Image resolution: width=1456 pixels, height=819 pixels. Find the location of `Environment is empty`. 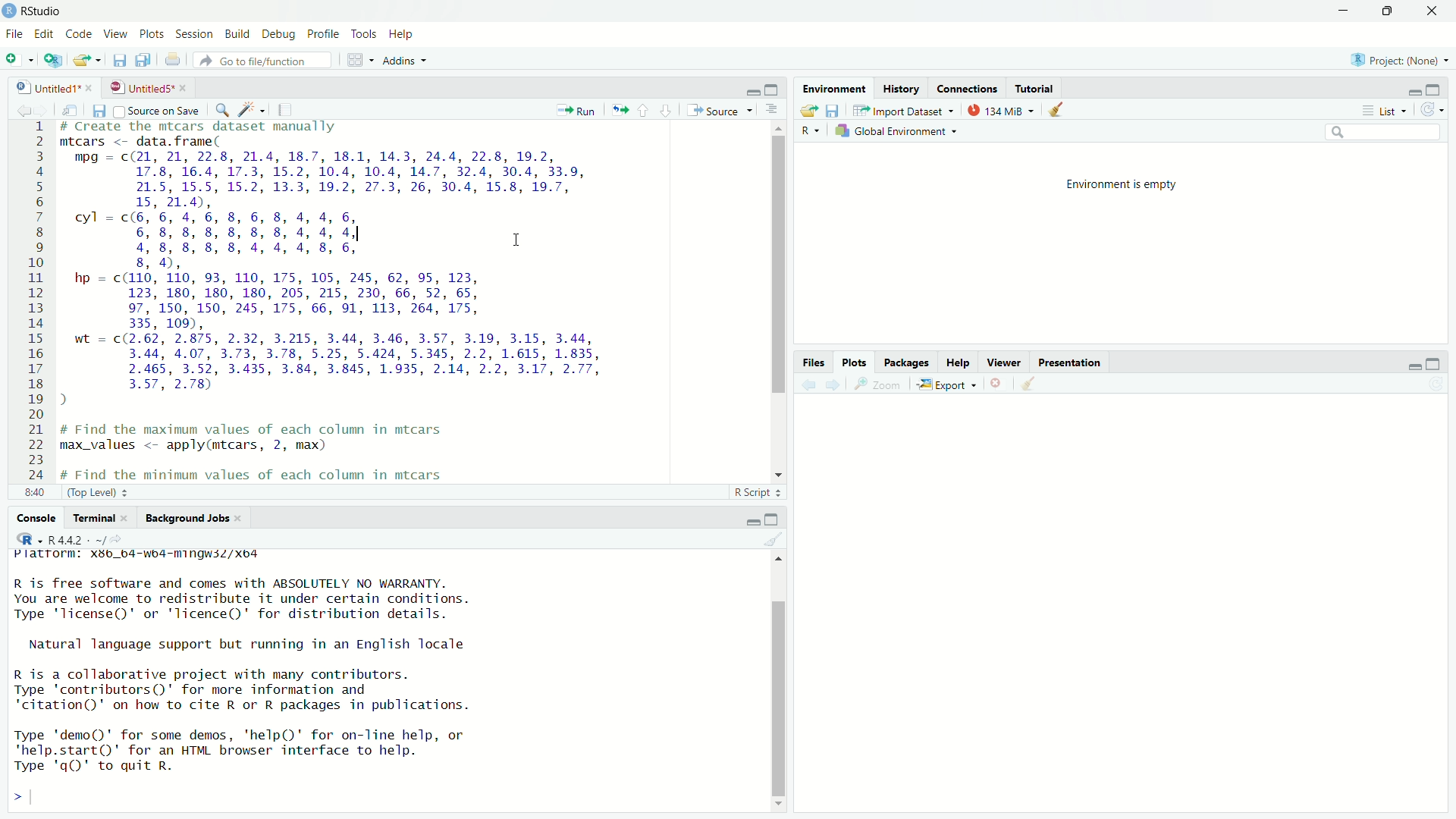

Environment is empty is located at coordinates (1123, 183).